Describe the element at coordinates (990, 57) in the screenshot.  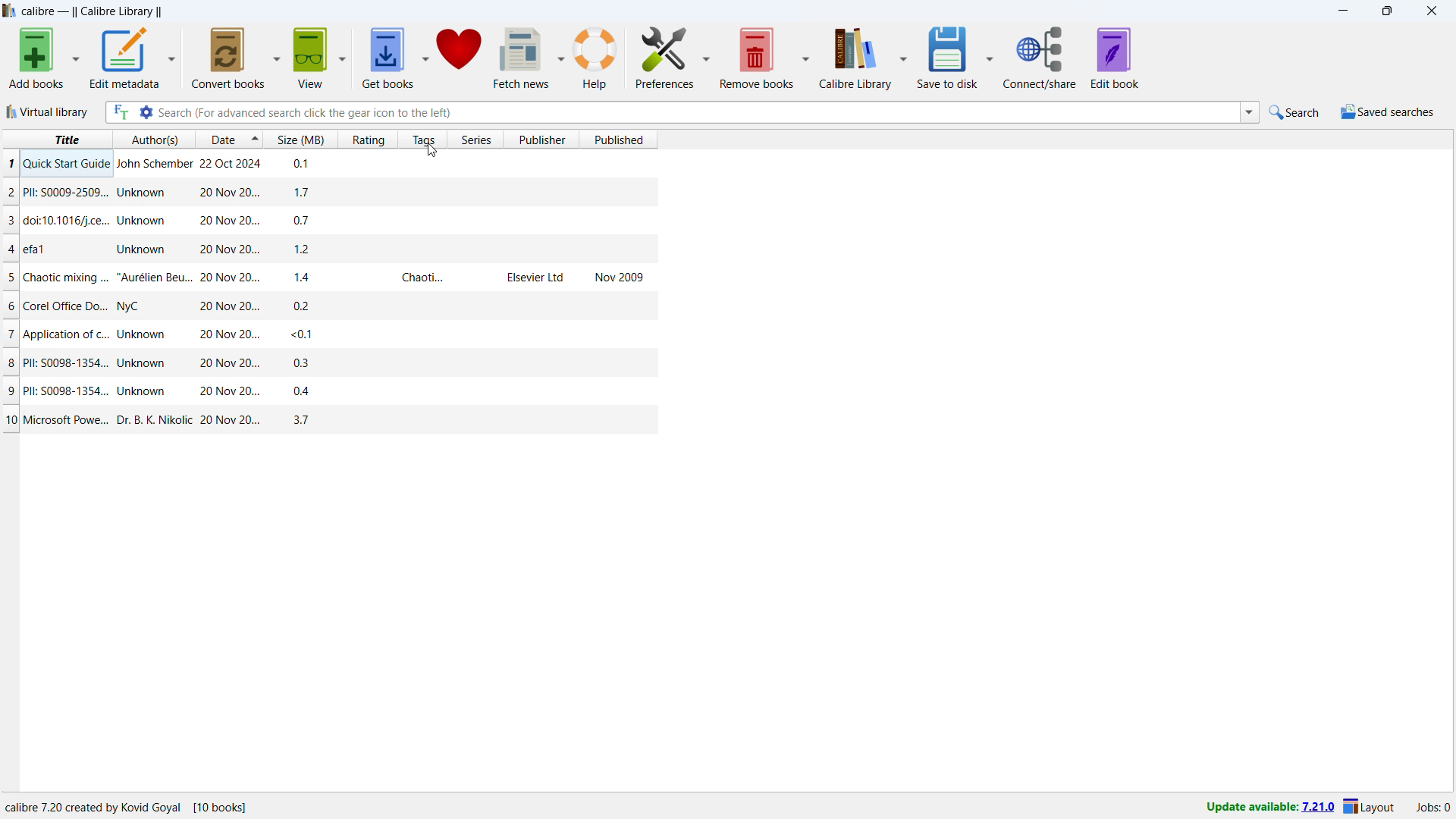
I see `save to disk options` at that location.